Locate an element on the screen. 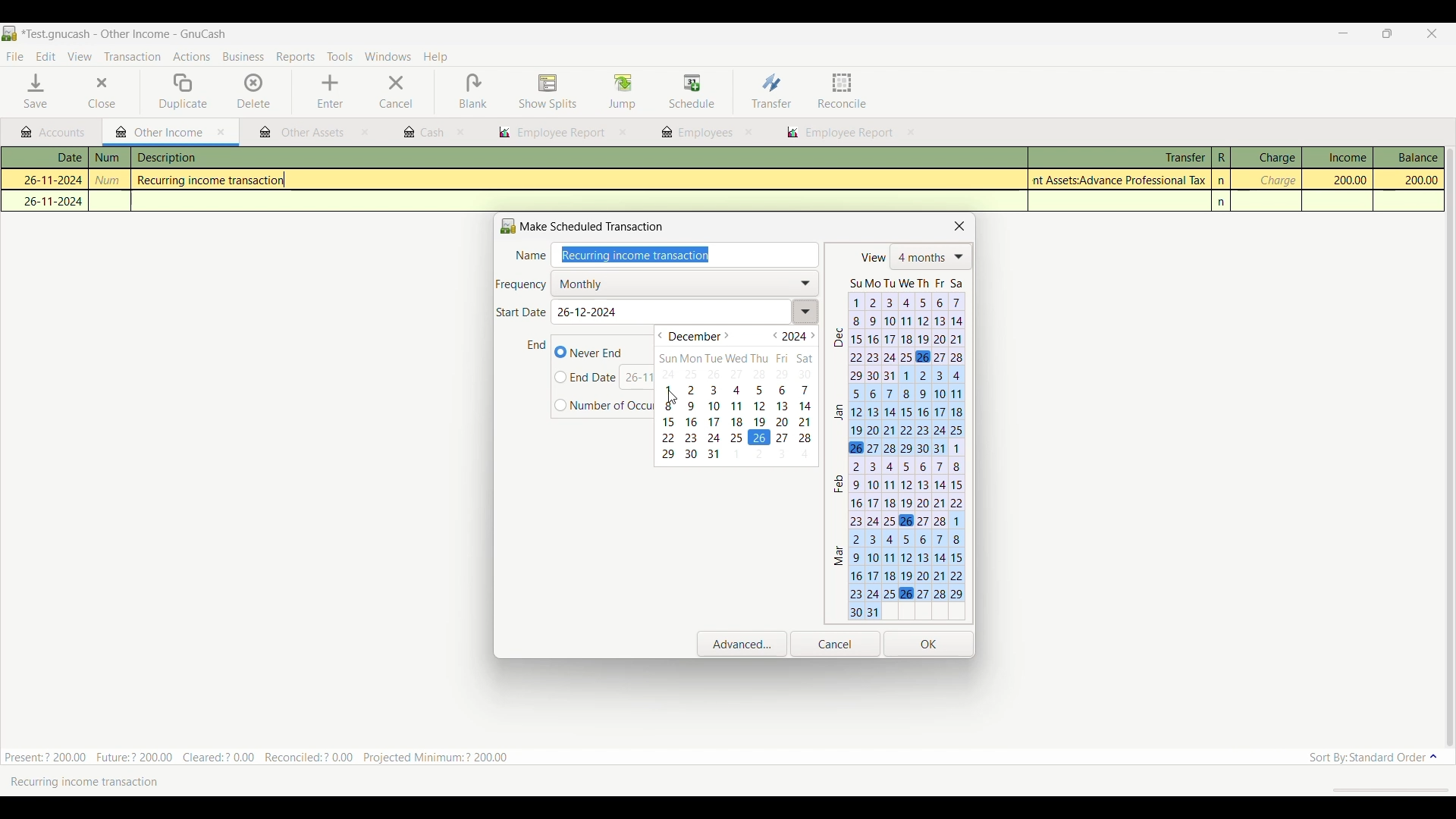 The image size is (1456, 819). Software logo is located at coordinates (10, 33).